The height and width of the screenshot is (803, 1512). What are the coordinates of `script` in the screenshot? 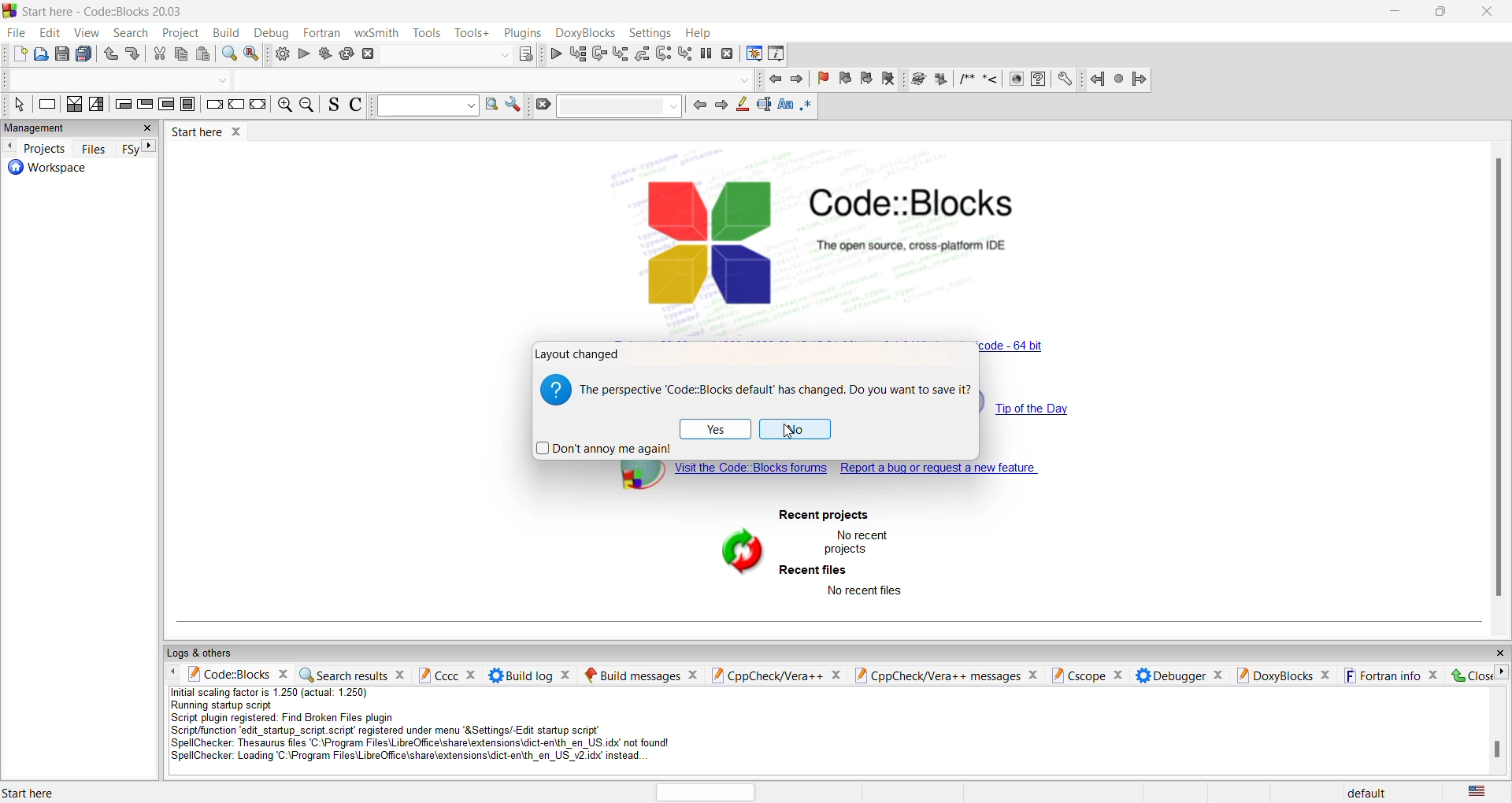 It's located at (438, 726).